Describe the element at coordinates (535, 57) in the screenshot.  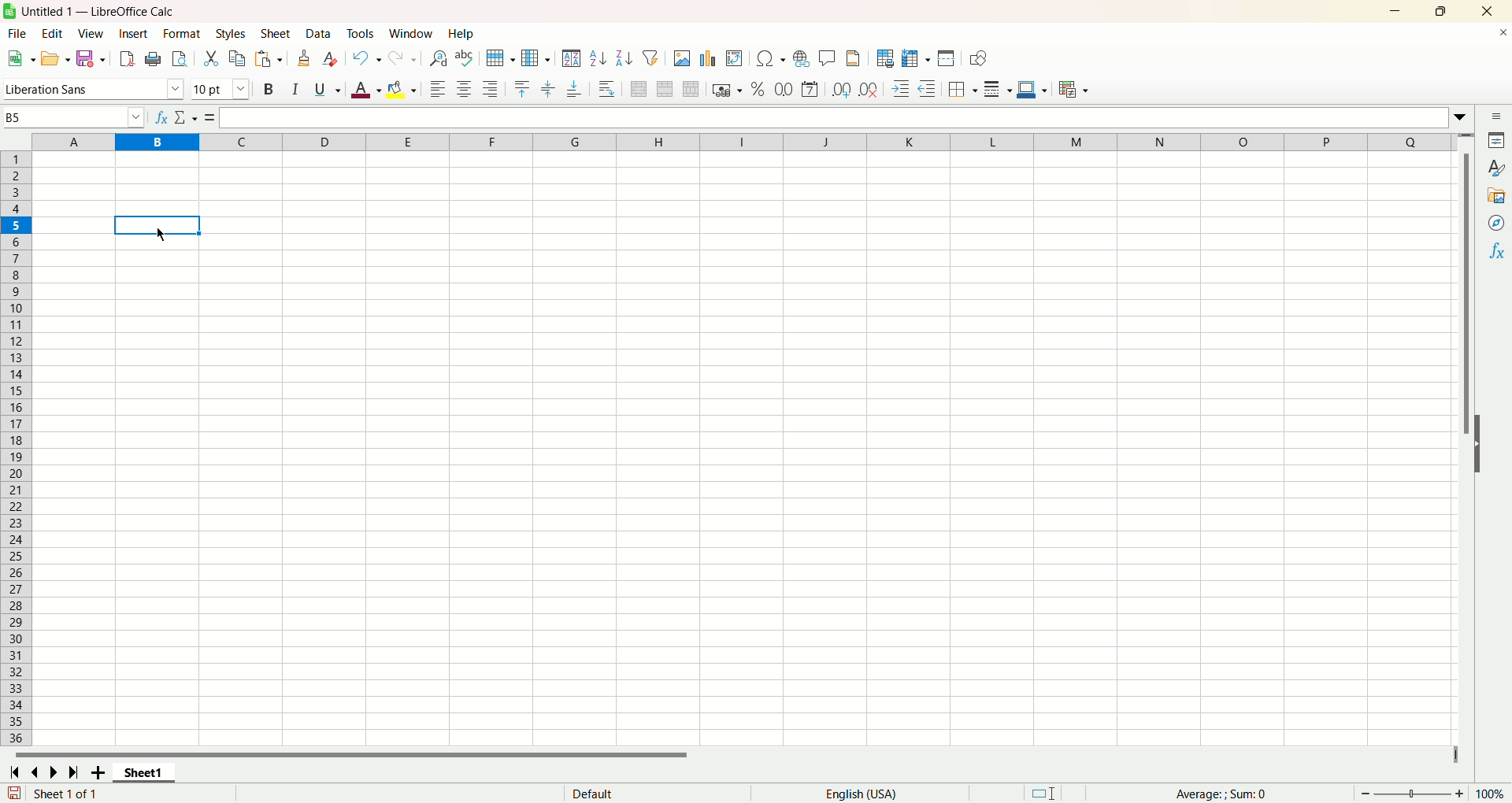
I see `column` at that location.